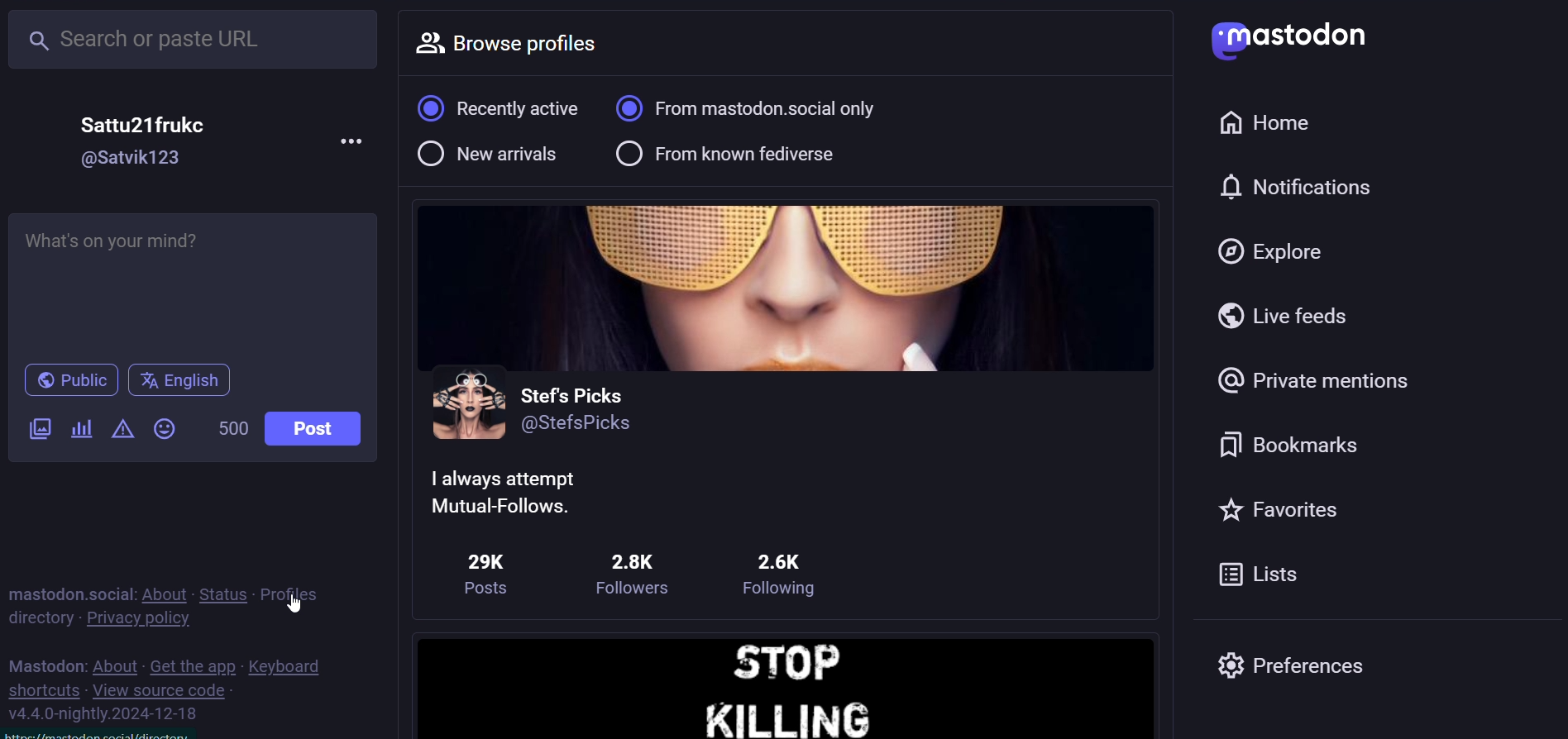 This screenshot has width=1568, height=739. Describe the element at coordinates (290, 665) in the screenshot. I see `keyboard` at that location.